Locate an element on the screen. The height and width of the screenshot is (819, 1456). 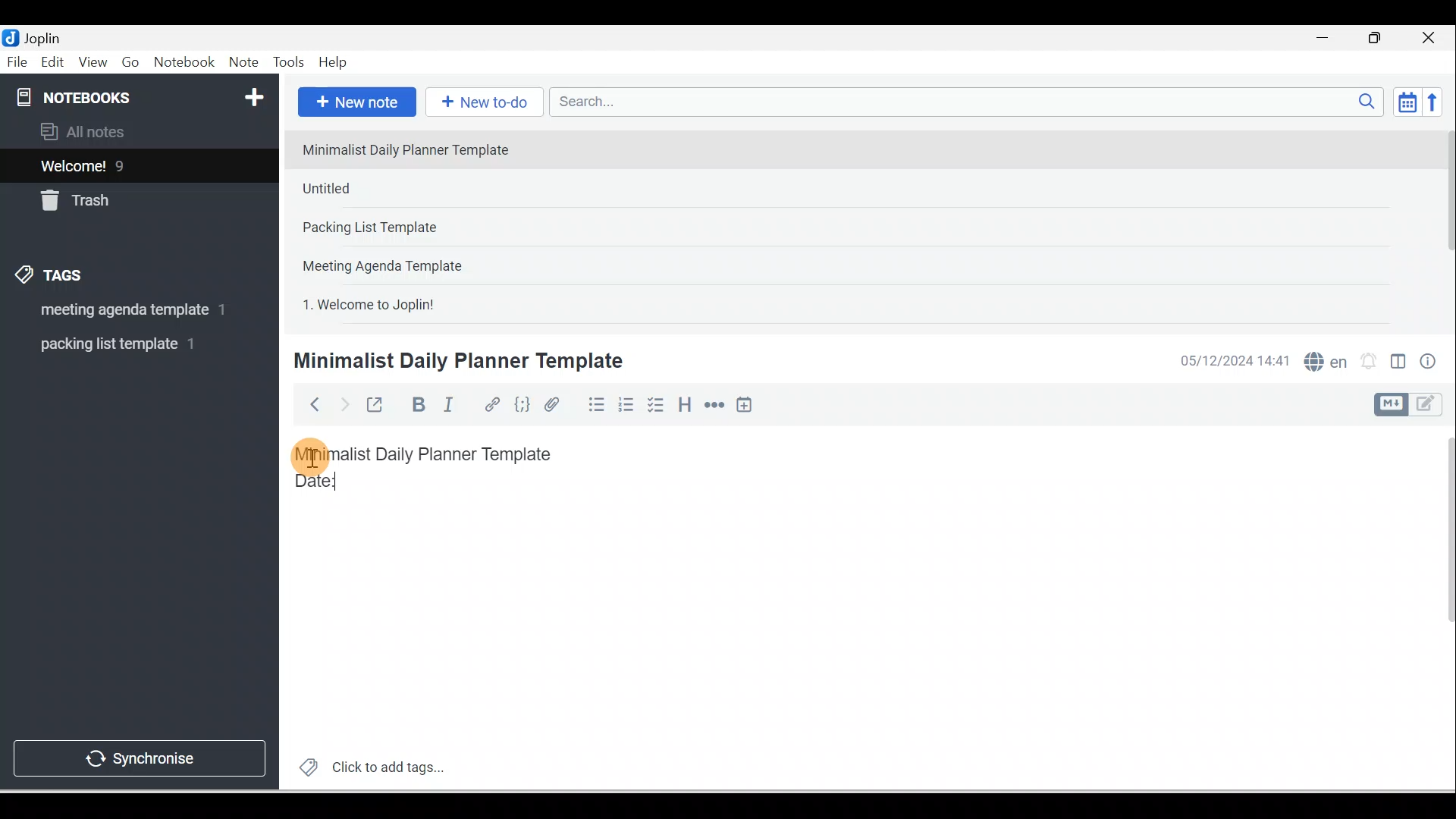
Set alarm is located at coordinates (1367, 362).